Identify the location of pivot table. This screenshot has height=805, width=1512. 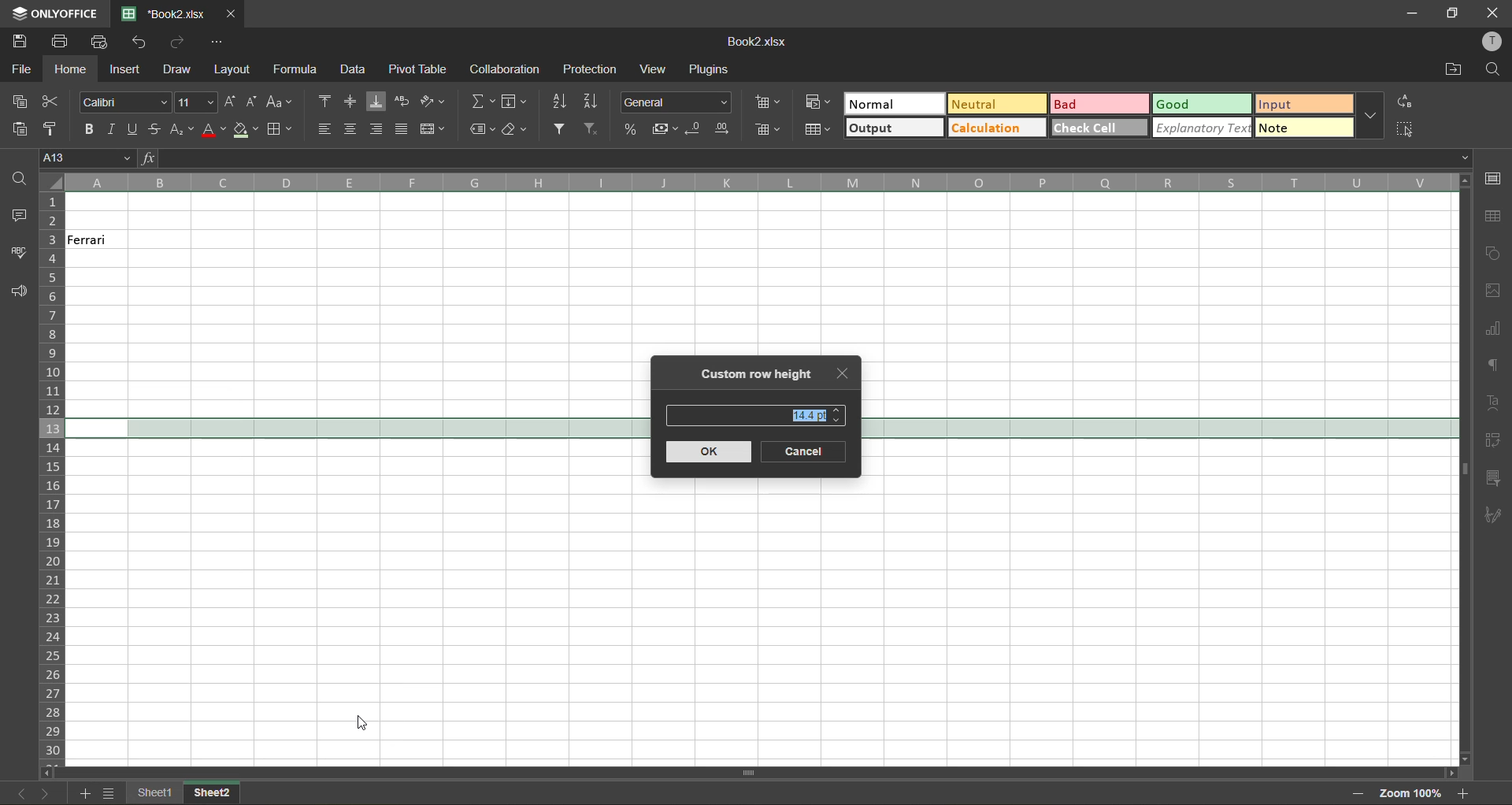
(417, 69).